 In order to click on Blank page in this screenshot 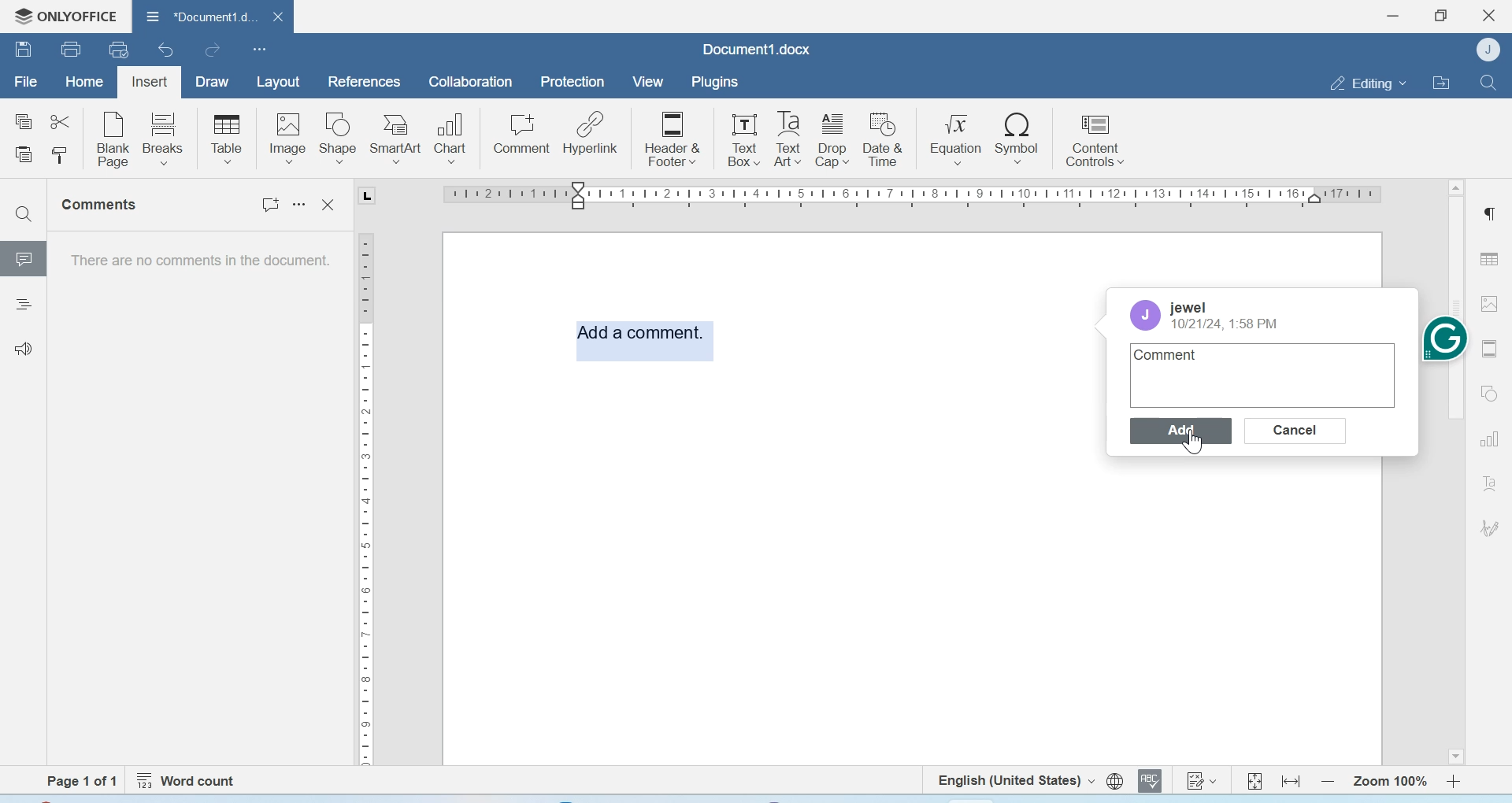, I will do `click(114, 139)`.